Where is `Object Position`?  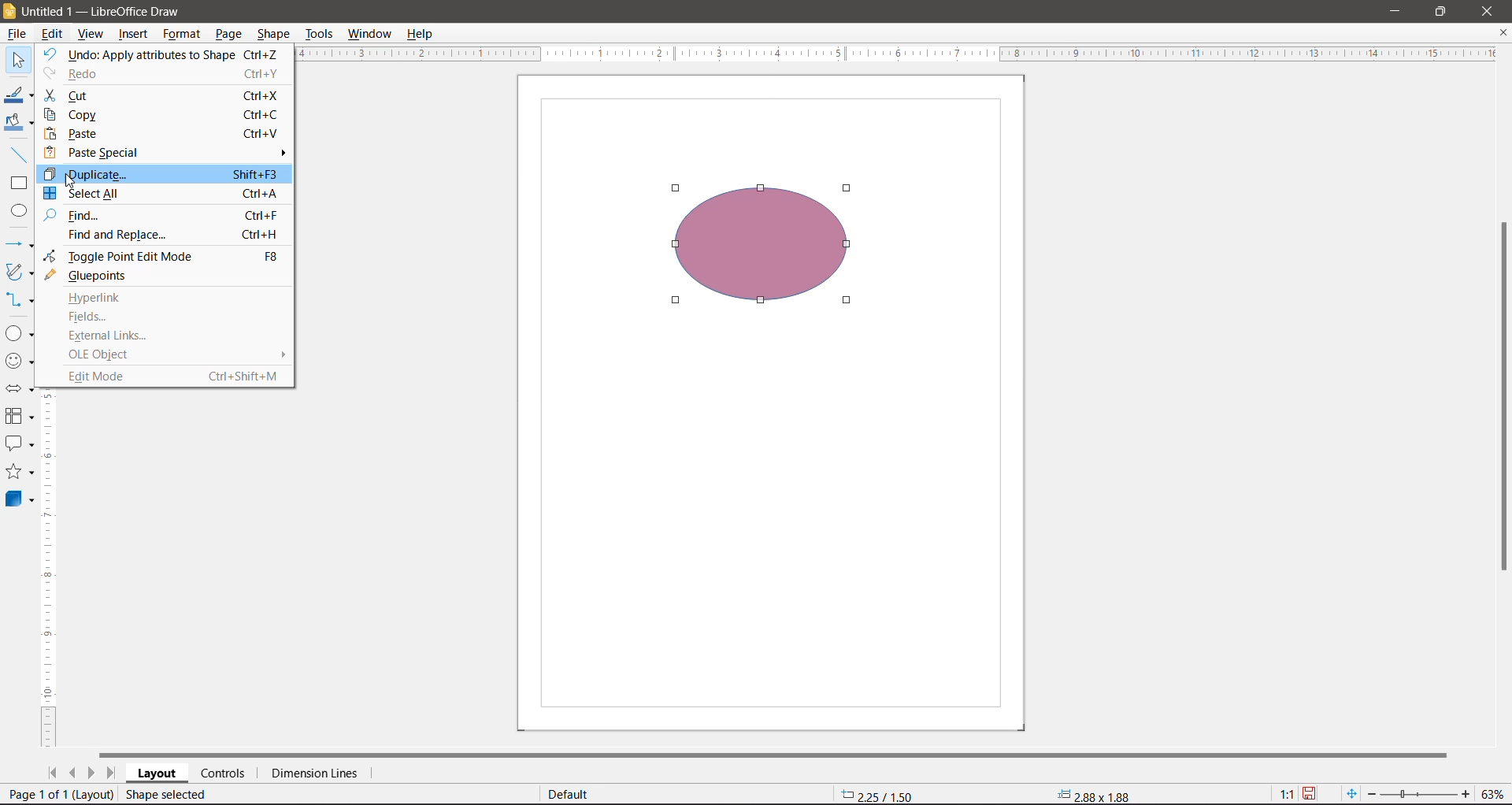
Object Position is located at coordinates (877, 794).